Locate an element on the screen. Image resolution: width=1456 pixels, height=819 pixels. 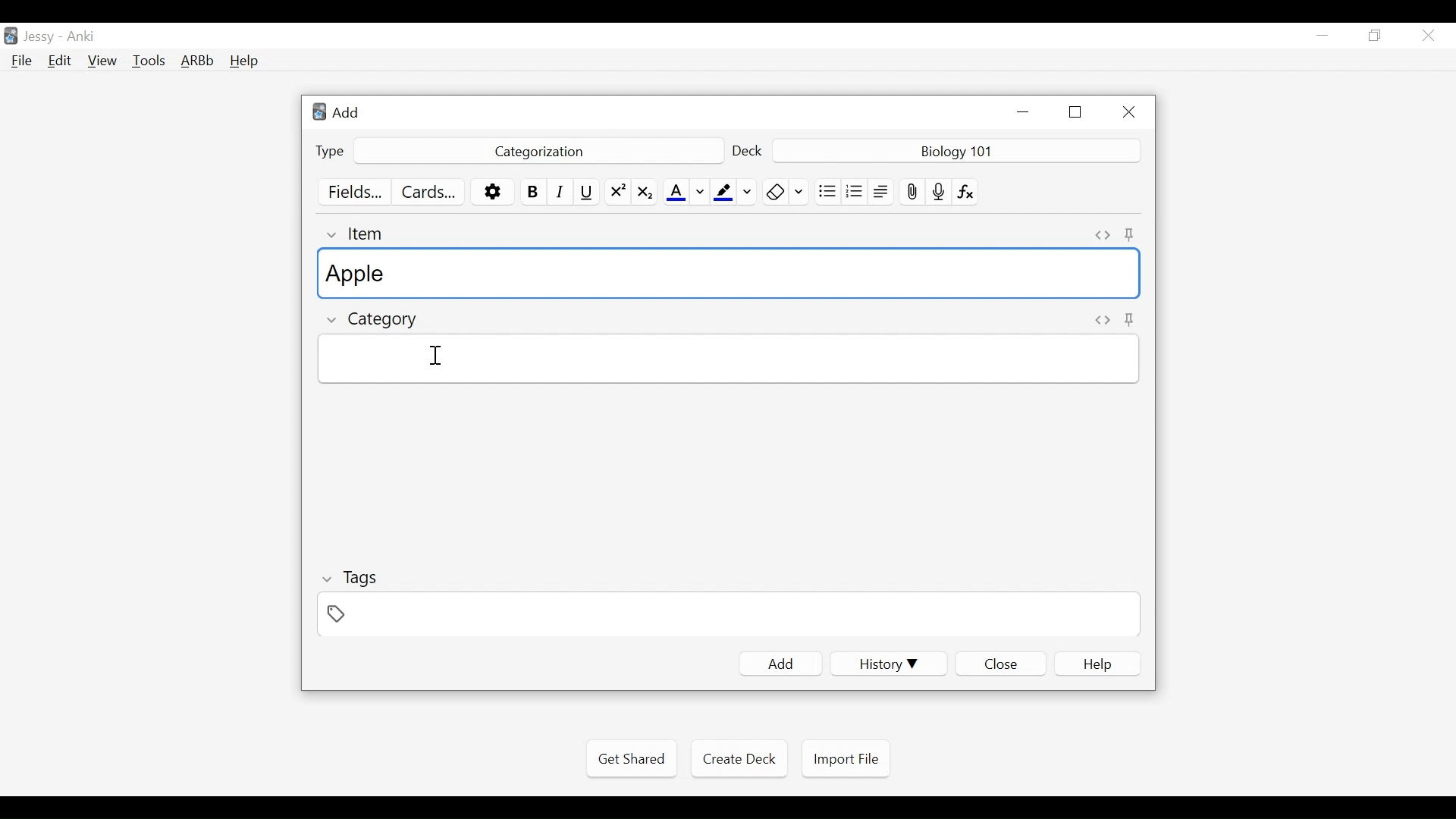
Get Shared is located at coordinates (631, 759).